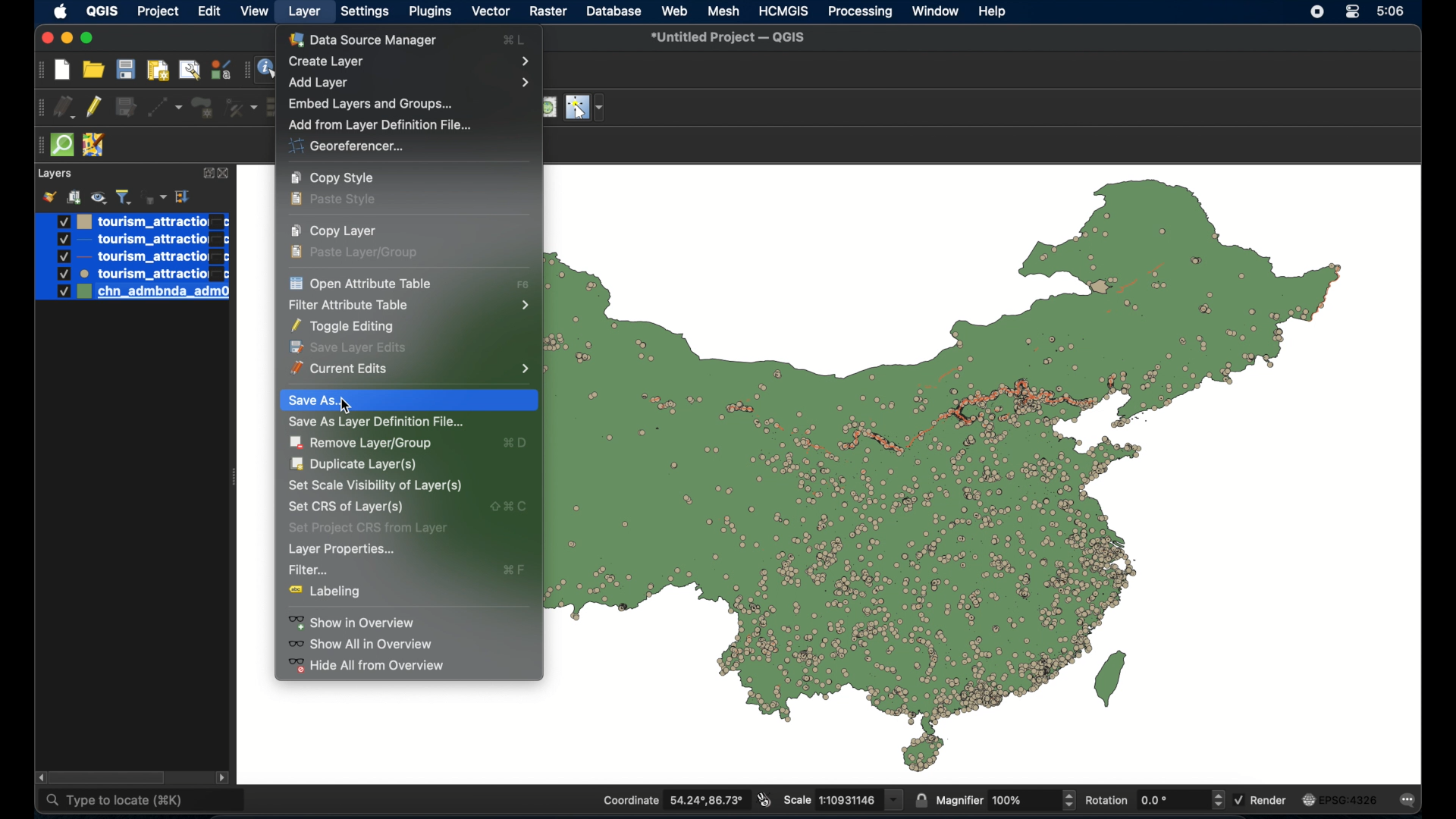  I want to click on apple icon, so click(61, 12).